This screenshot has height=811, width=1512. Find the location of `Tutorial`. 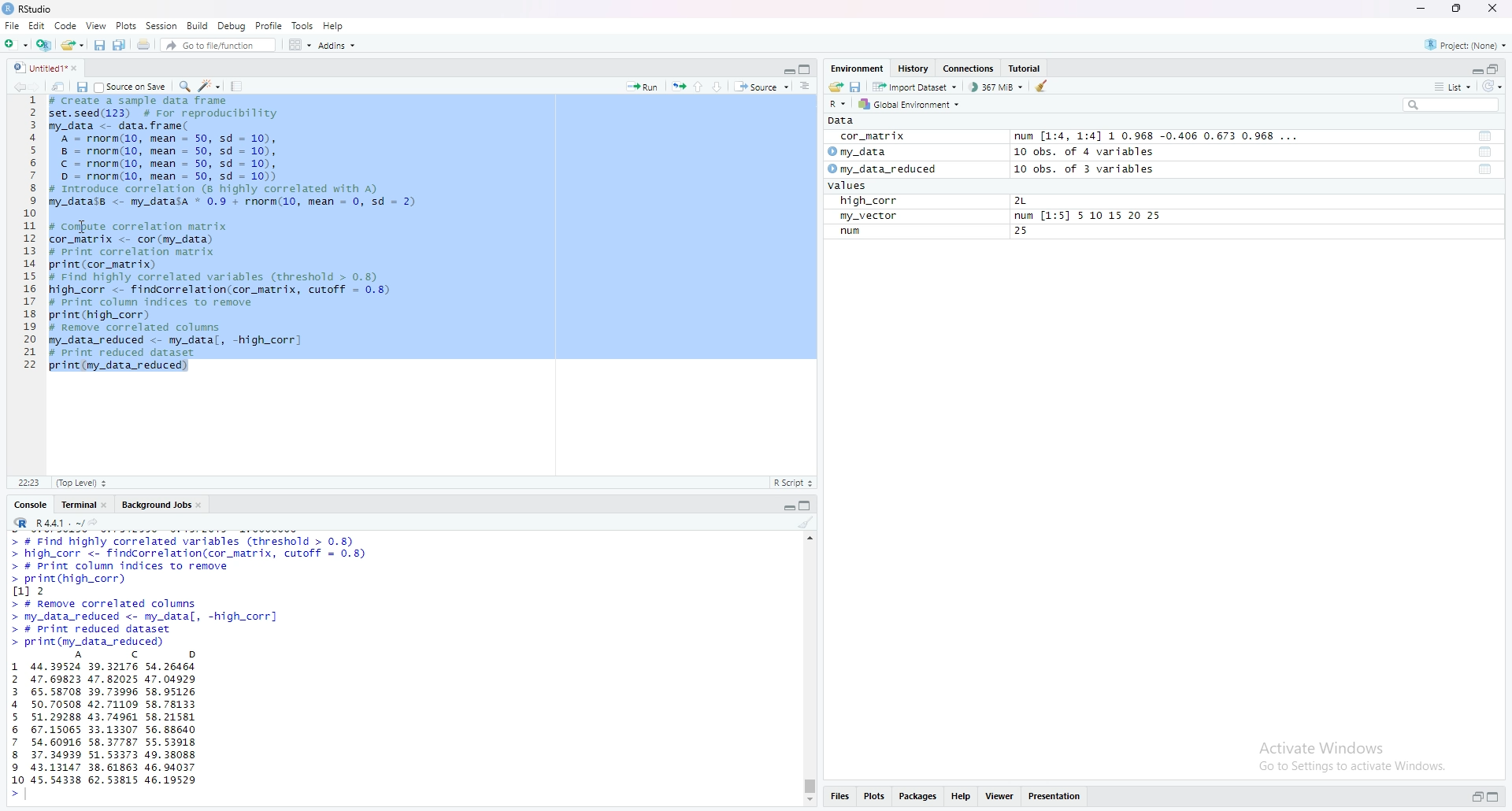

Tutorial is located at coordinates (1027, 69).